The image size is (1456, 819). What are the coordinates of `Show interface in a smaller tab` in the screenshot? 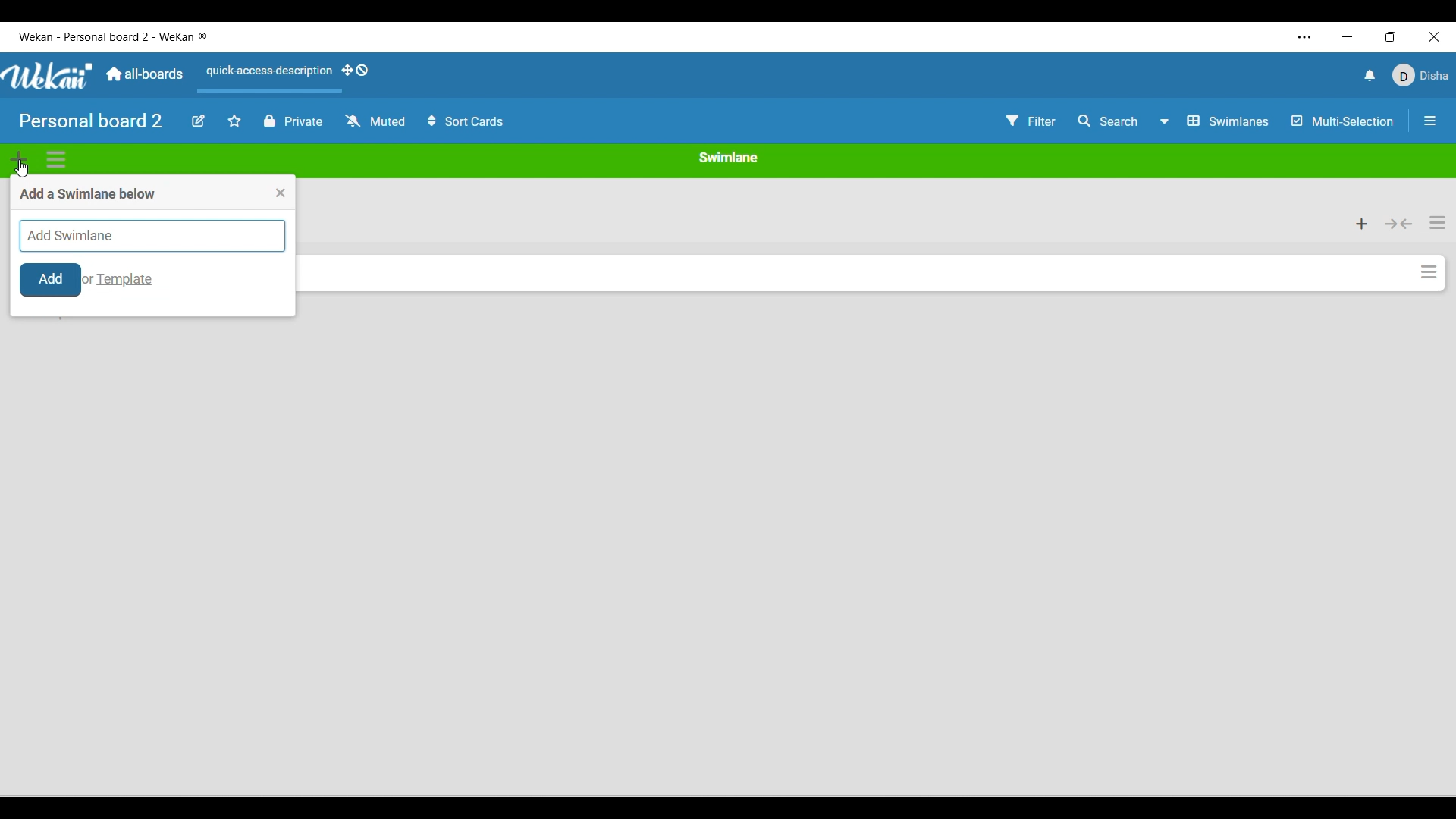 It's located at (1391, 37).